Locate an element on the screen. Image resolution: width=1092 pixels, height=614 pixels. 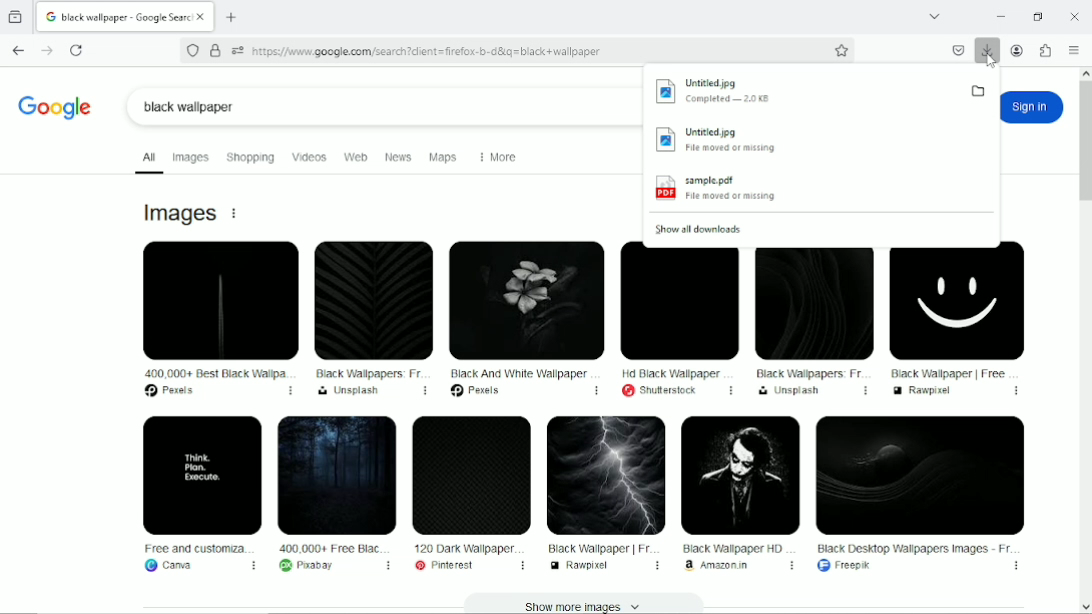
Logo is located at coordinates (57, 107).